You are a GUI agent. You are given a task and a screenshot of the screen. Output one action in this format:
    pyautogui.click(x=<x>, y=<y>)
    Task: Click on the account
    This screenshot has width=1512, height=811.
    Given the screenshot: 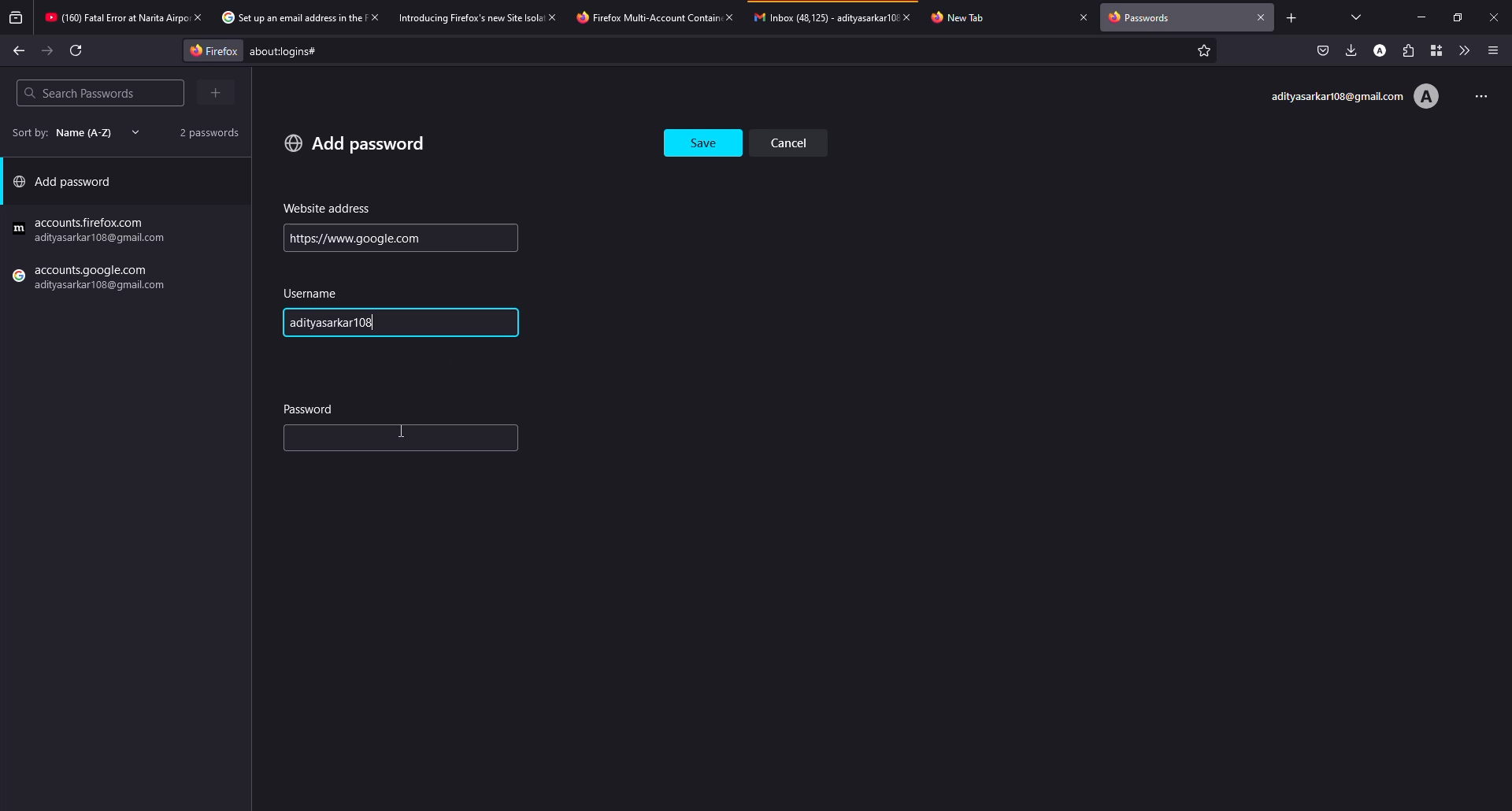 What is the action you would take?
    pyautogui.click(x=1382, y=50)
    